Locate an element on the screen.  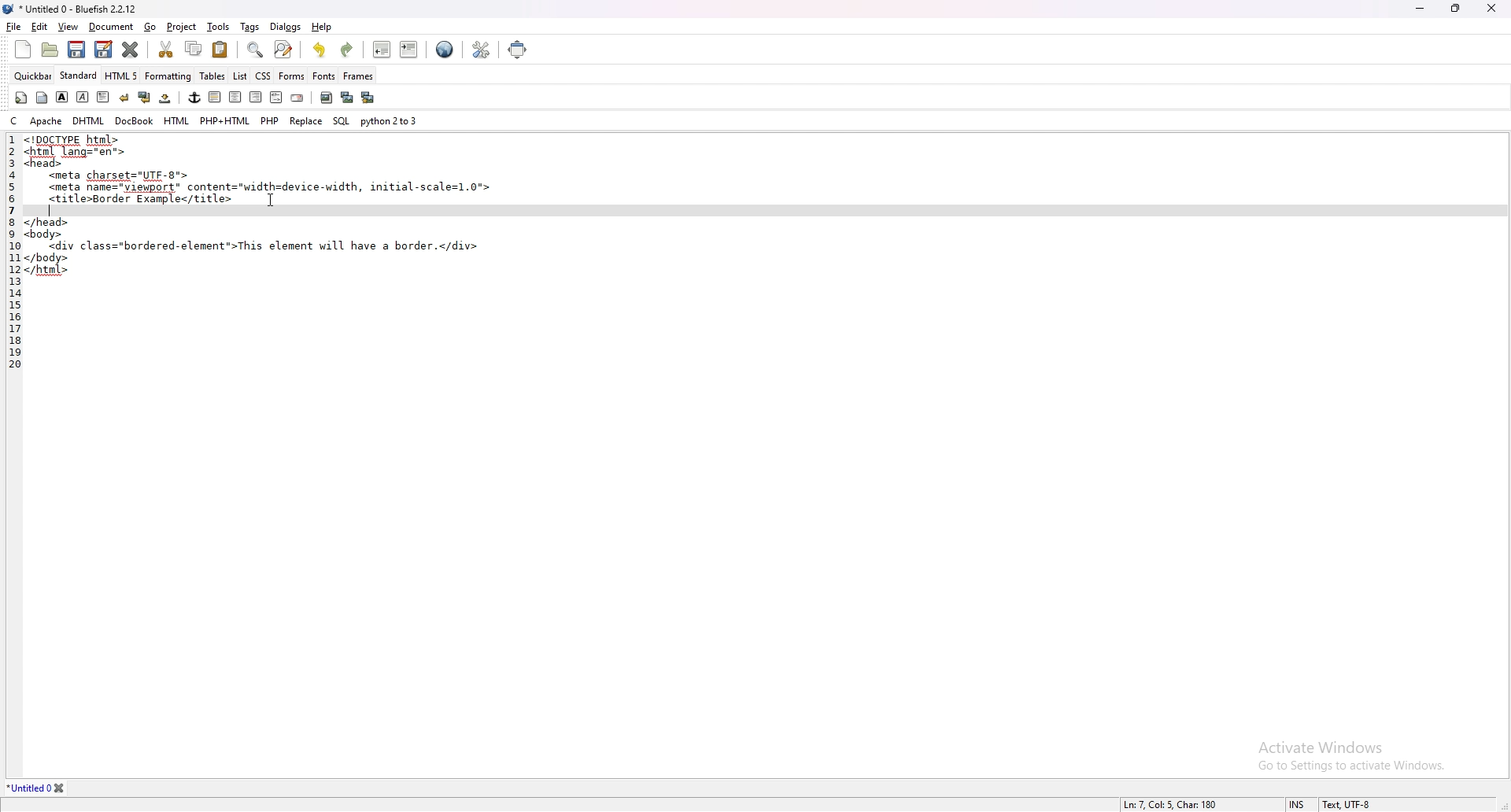
center justify is located at coordinates (236, 97).